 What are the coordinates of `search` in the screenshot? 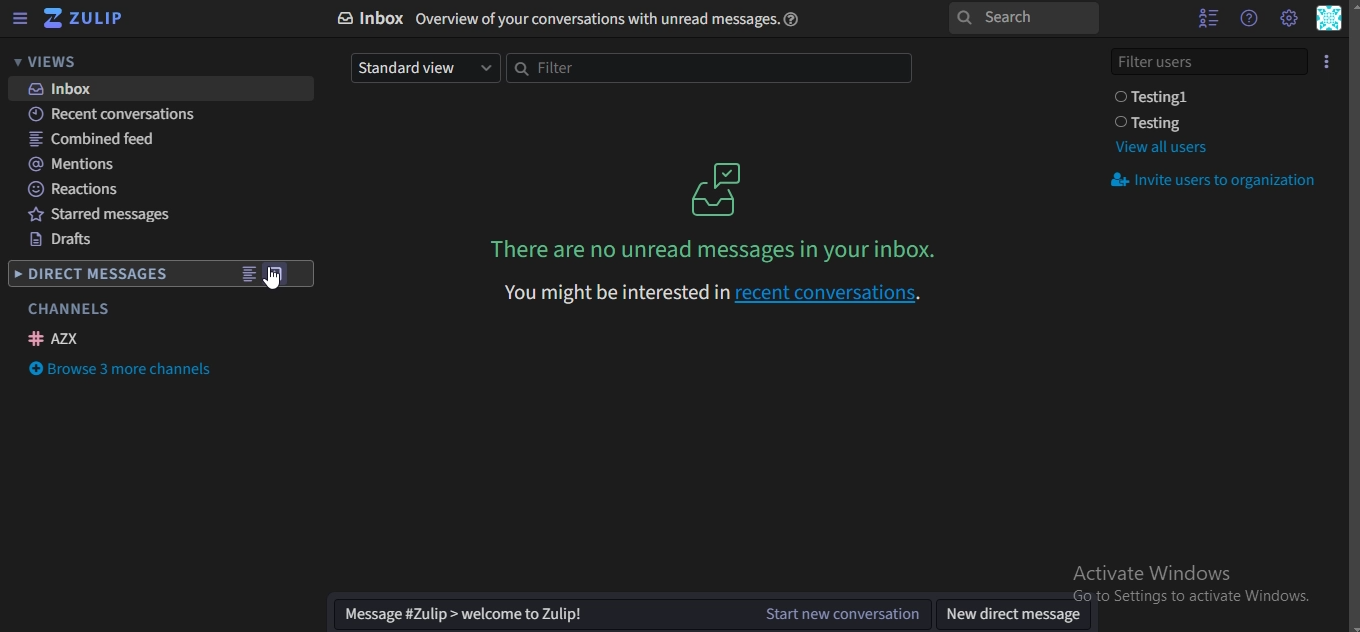 It's located at (1022, 19).